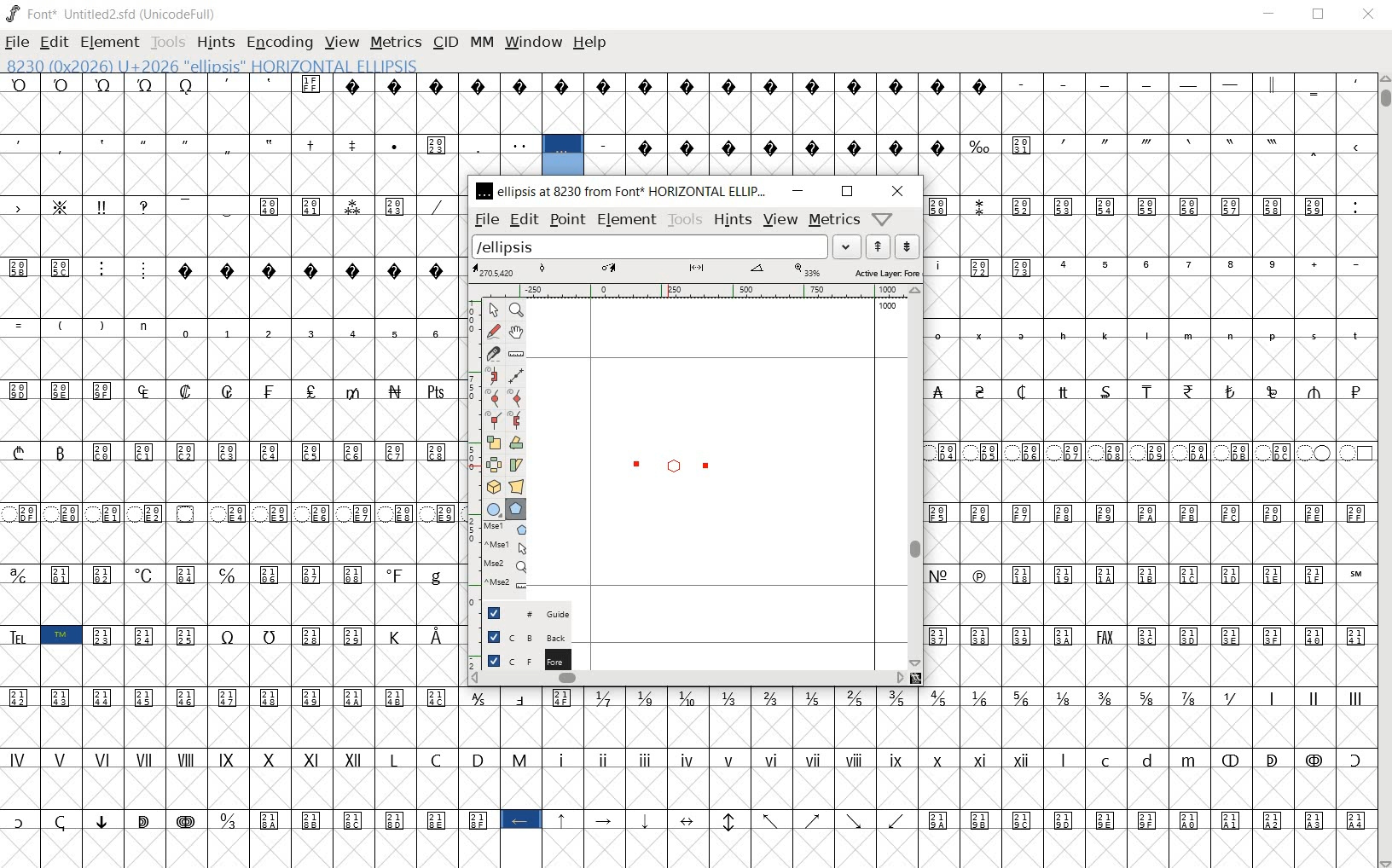 The image size is (1392, 868). Describe the element at coordinates (675, 466) in the screenshot. I see `designing ellipse` at that location.